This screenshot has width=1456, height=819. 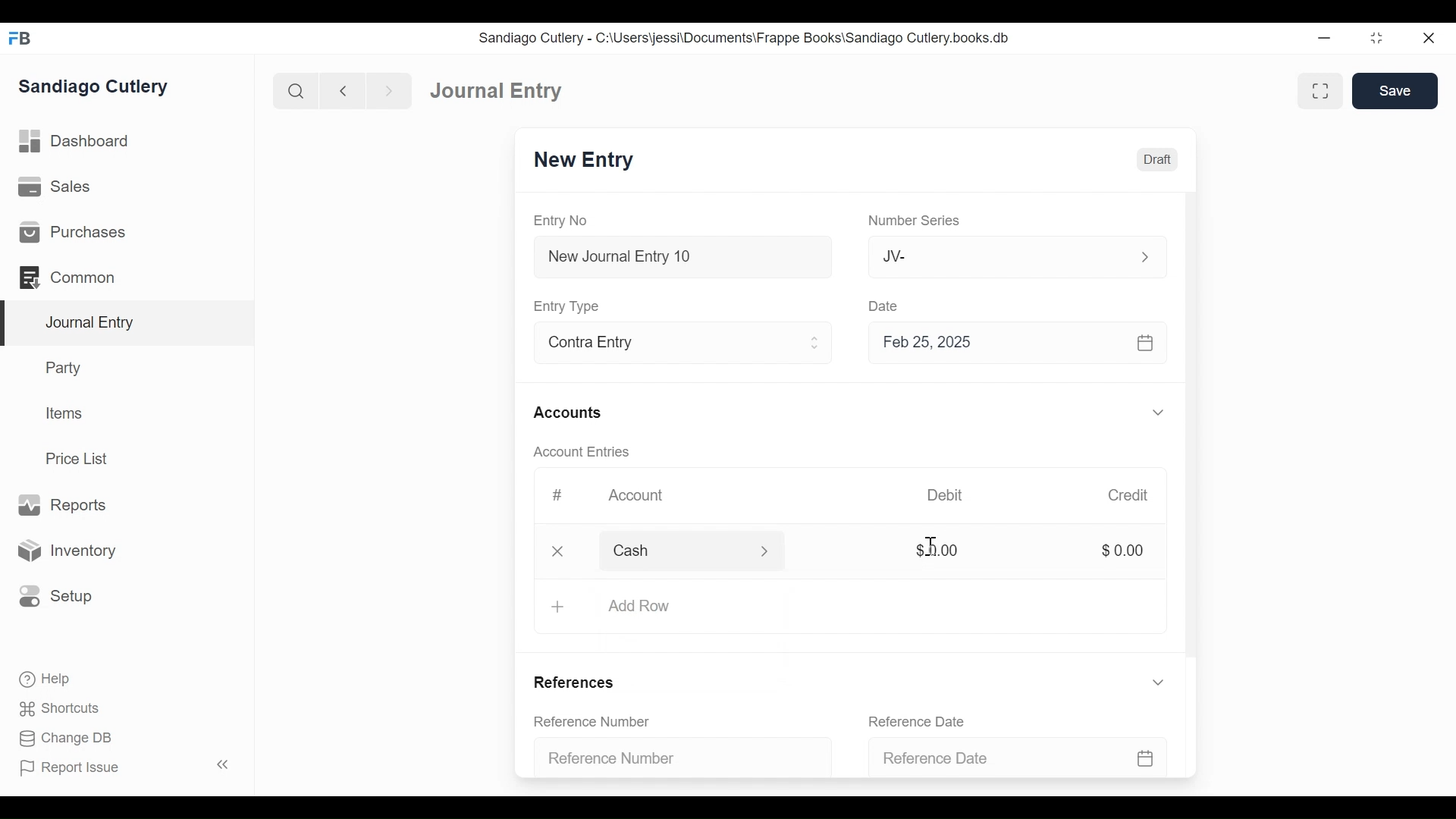 I want to click on Add Row, so click(x=651, y=607).